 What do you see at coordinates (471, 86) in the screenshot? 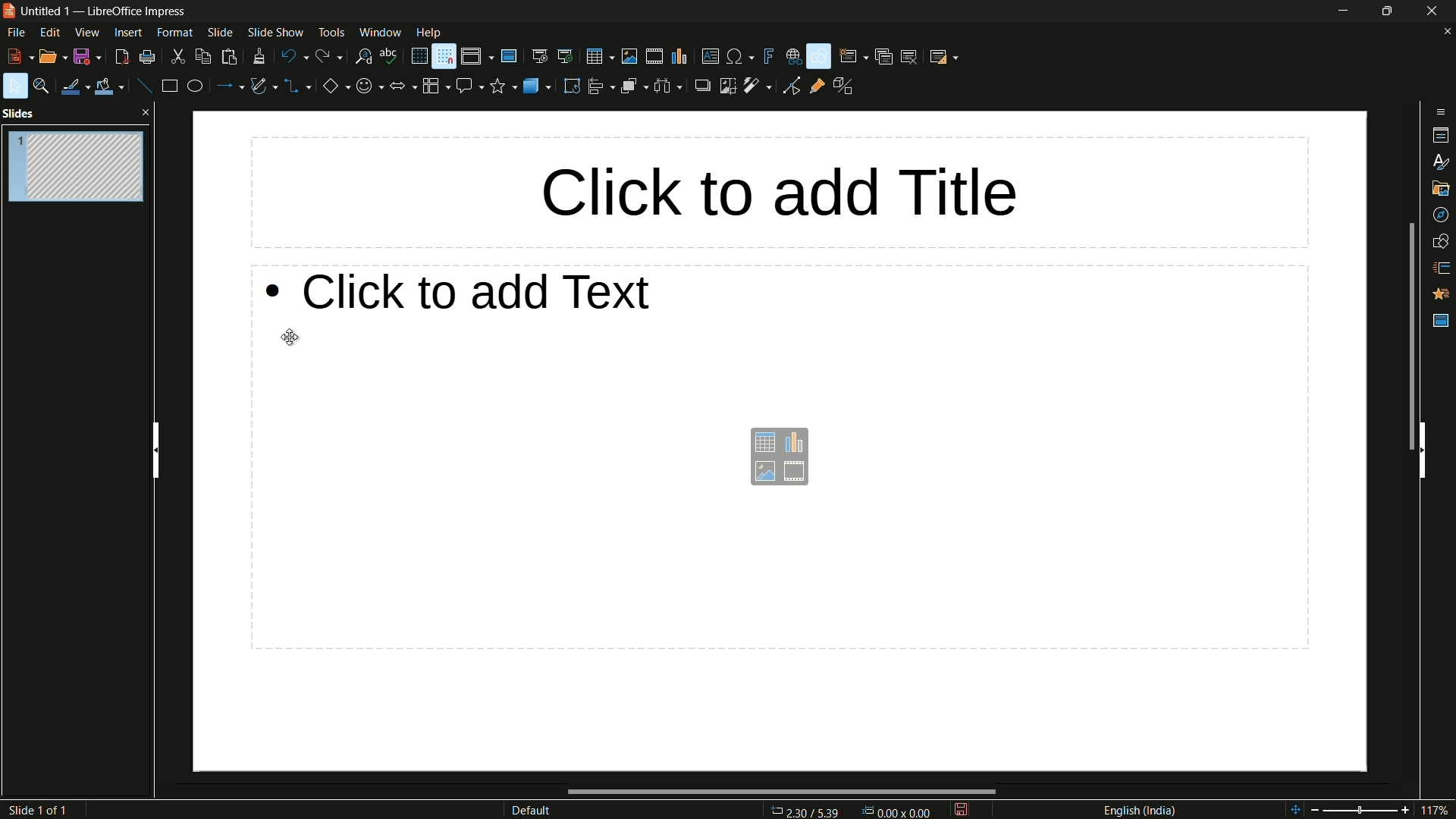
I see `callout shapes` at bounding box center [471, 86].